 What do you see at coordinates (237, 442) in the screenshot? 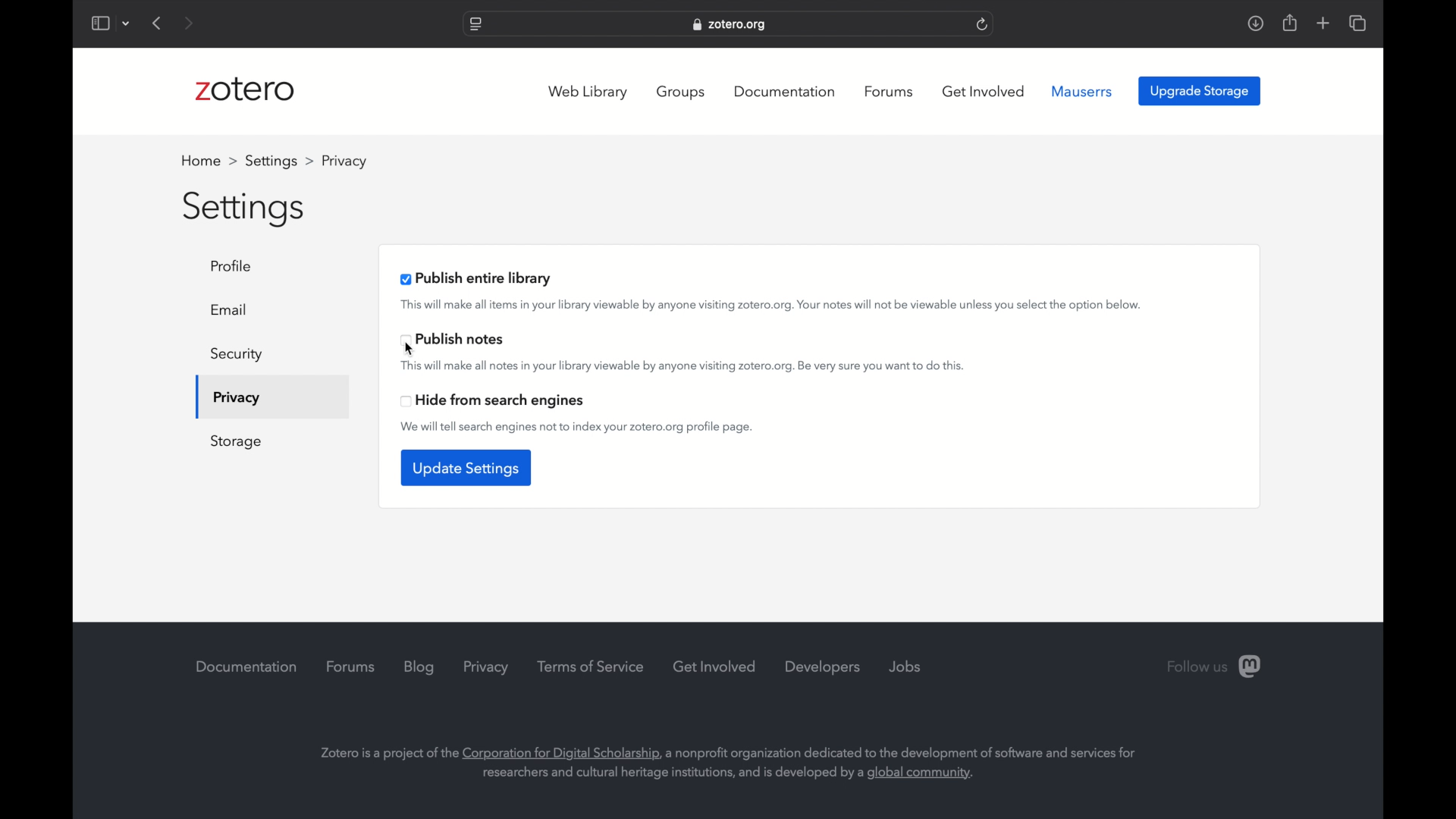
I see `storage` at bounding box center [237, 442].